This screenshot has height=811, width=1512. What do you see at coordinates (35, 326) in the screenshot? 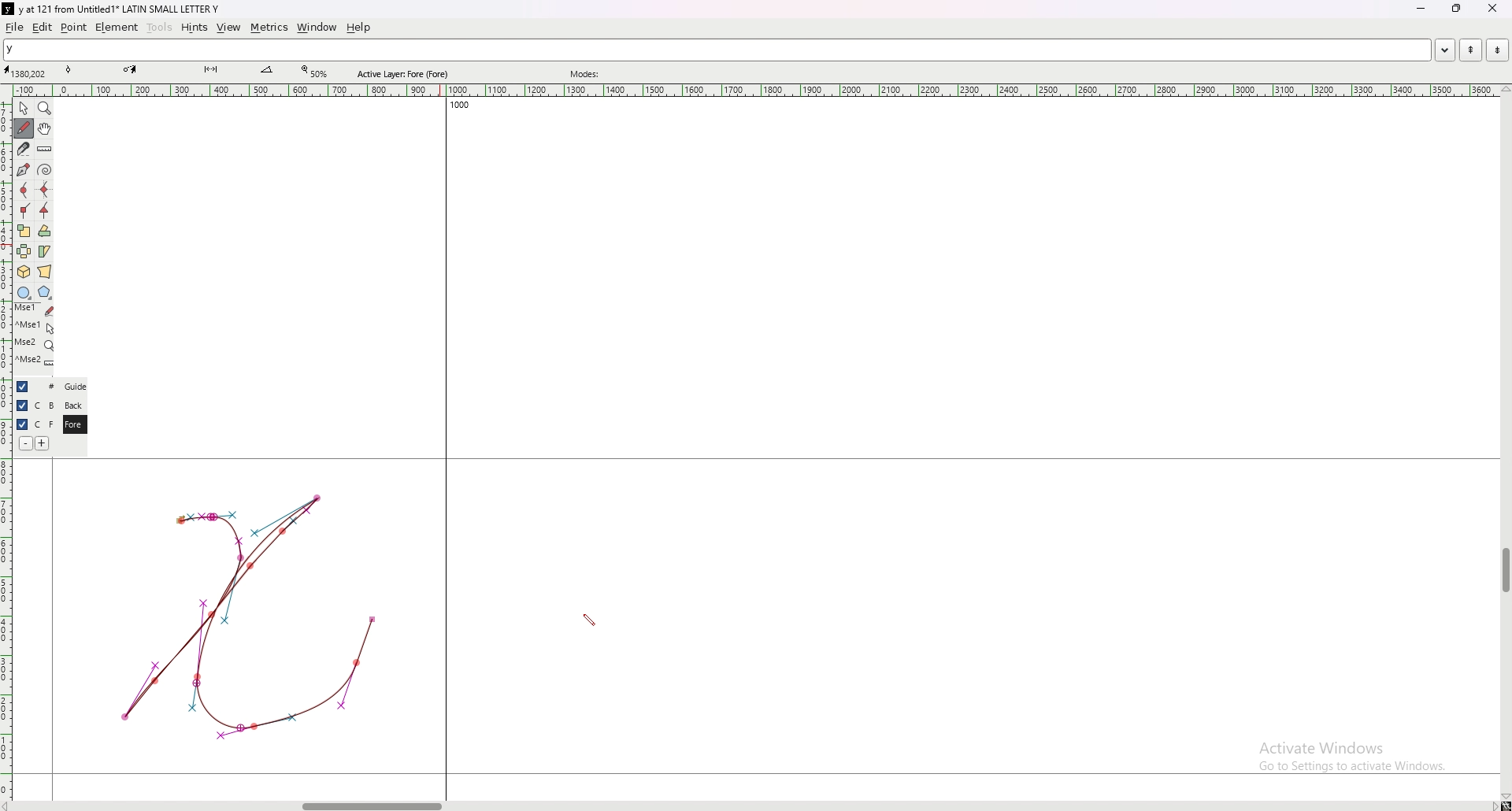
I see `mse 1` at bounding box center [35, 326].